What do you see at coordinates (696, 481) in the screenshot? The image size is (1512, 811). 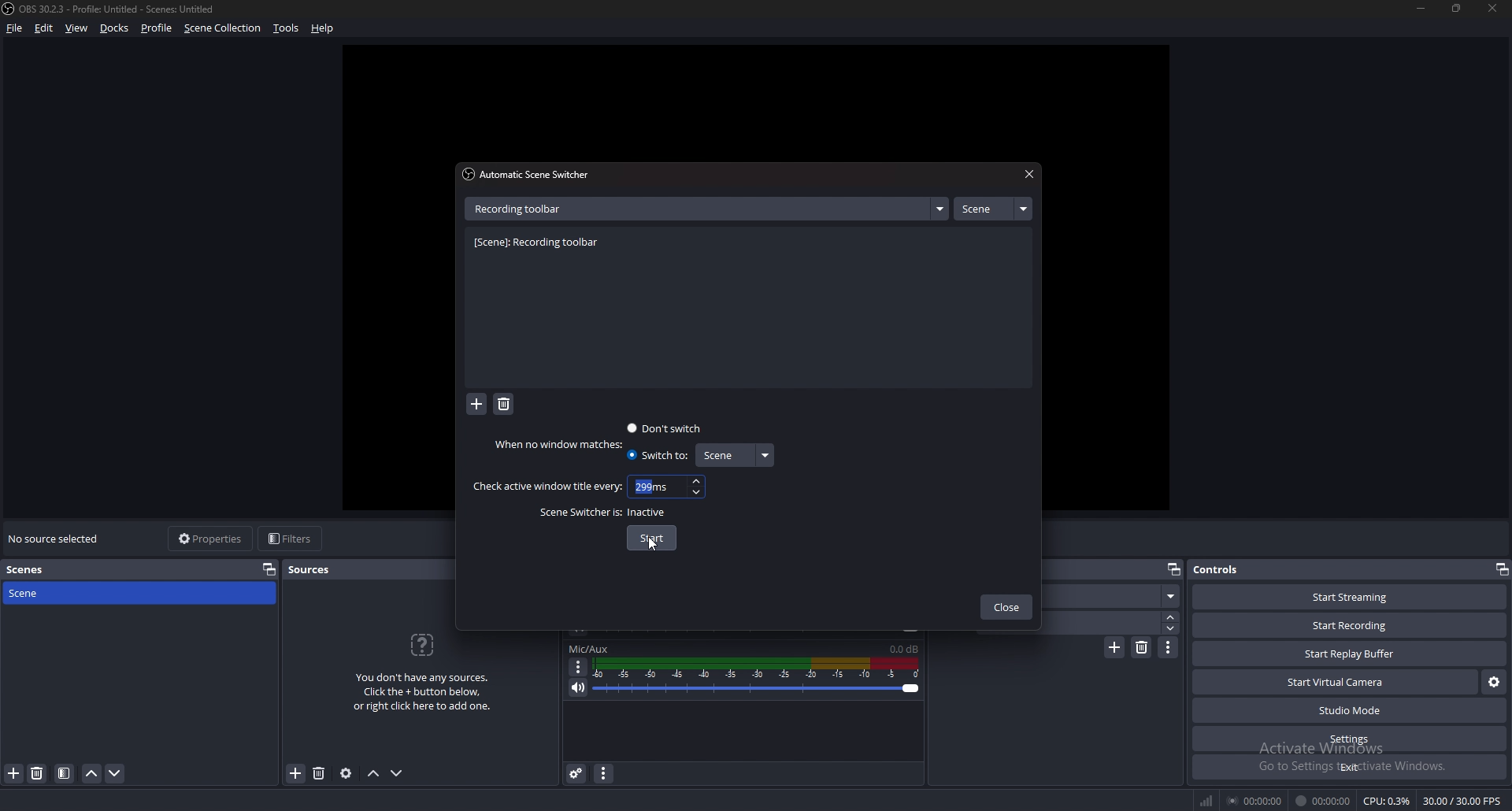 I see `increase time` at bounding box center [696, 481].